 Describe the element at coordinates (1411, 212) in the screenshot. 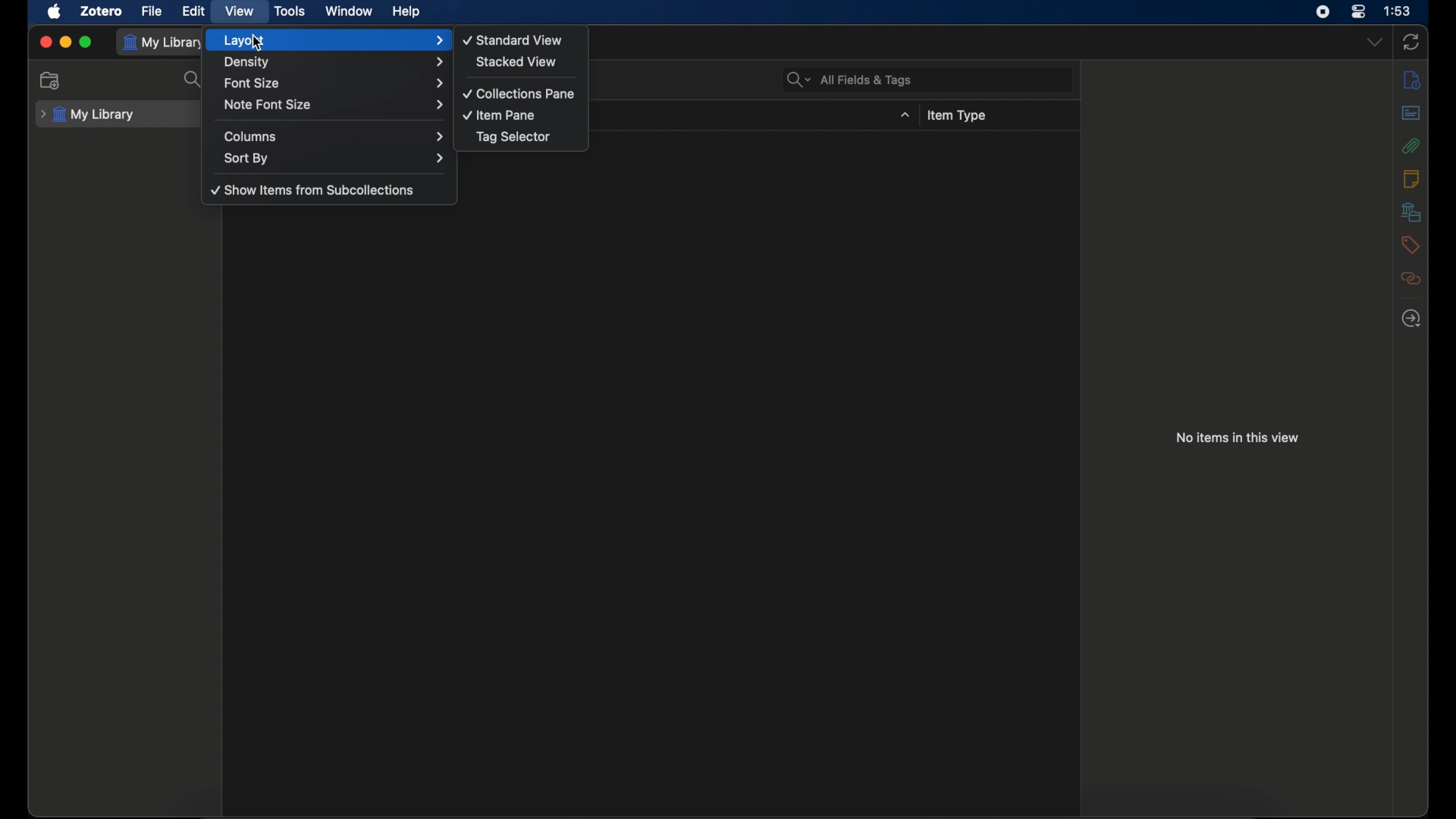

I see `libraries` at that location.